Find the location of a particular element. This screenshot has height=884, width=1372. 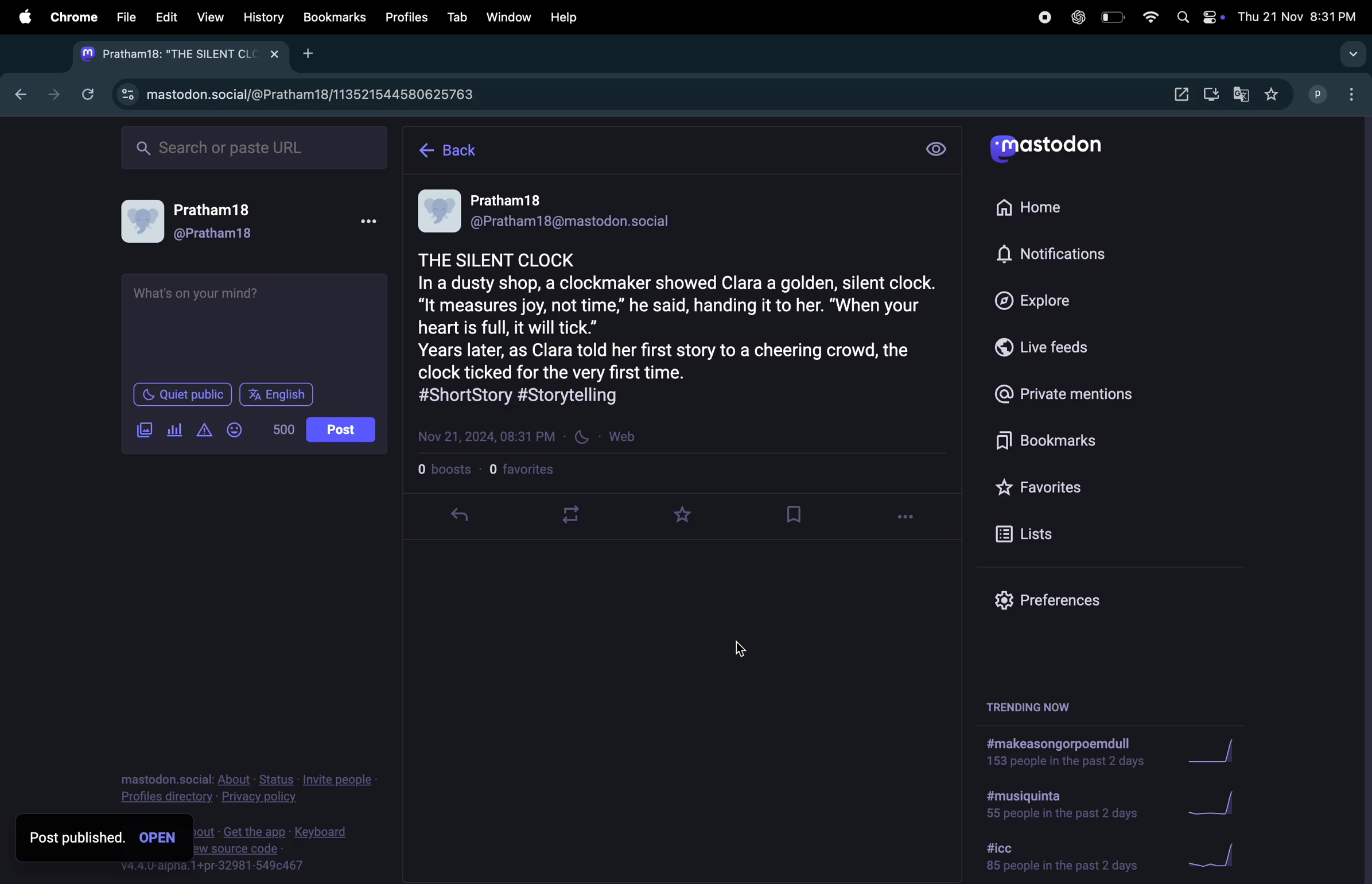

home is located at coordinates (482, 153).